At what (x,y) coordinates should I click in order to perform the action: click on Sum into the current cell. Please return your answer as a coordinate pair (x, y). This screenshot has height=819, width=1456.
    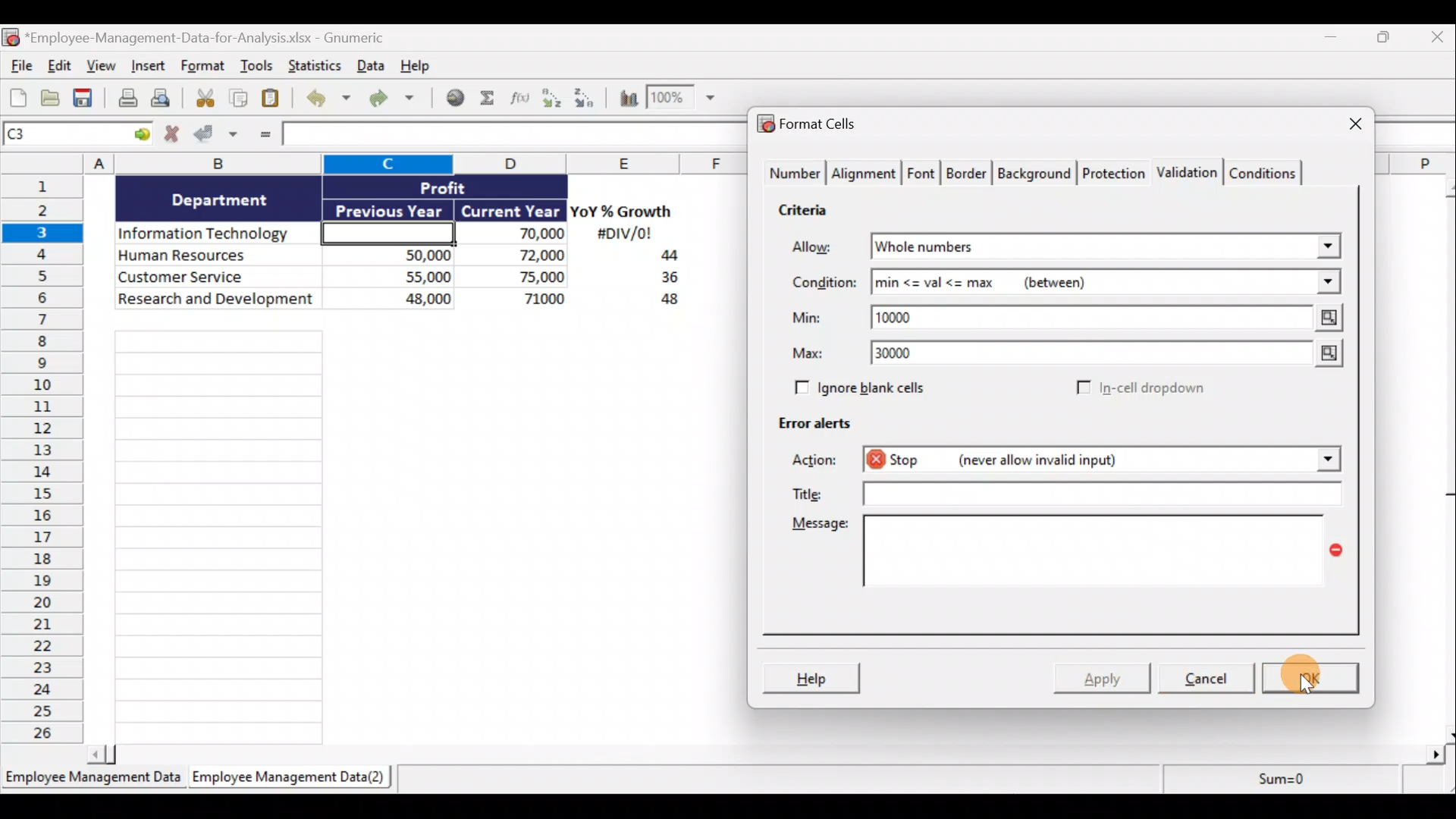
    Looking at the image, I should click on (489, 99).